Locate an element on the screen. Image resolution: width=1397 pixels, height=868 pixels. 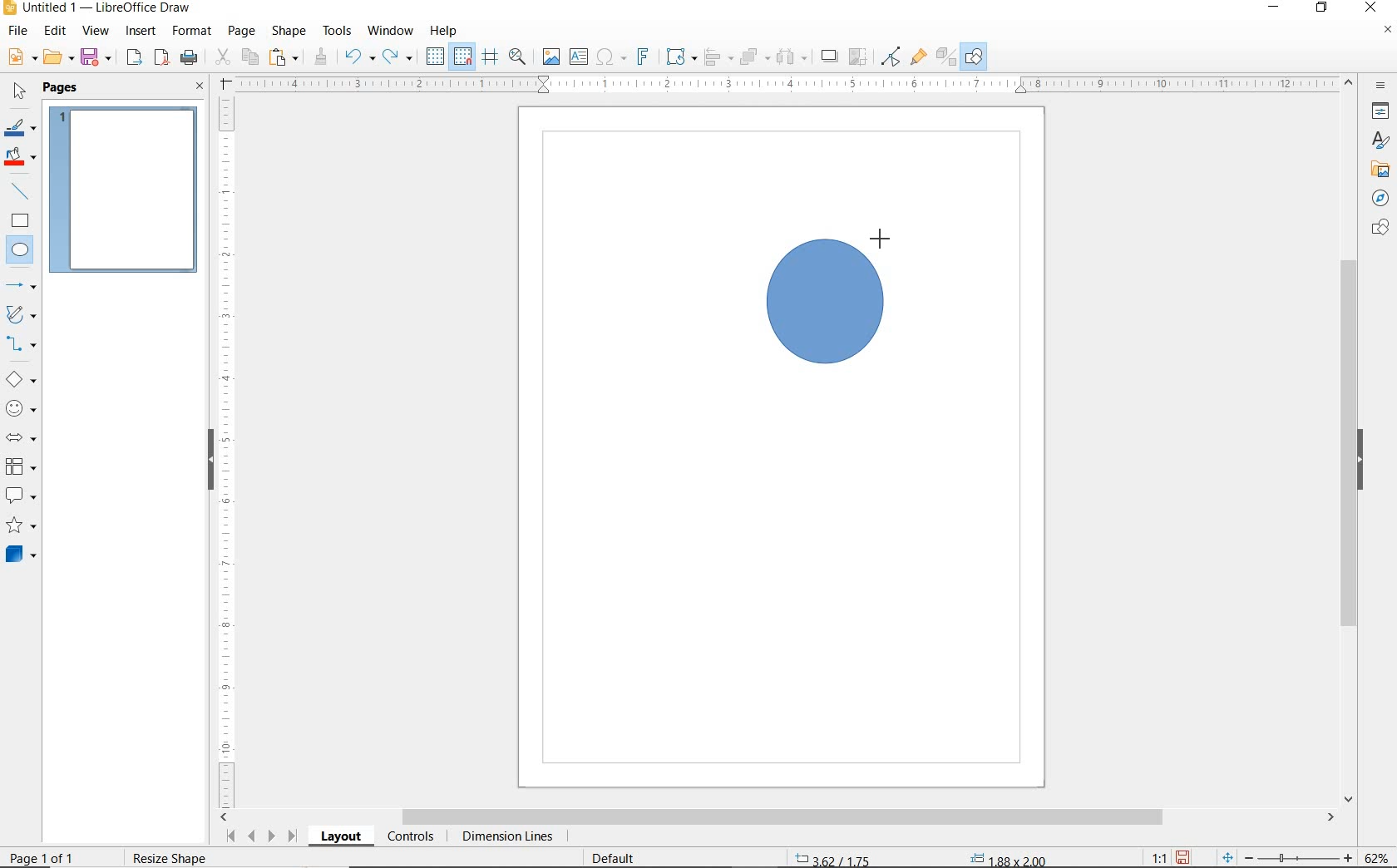
PAGE 1 O 1 is located at coordinates (54, 851).